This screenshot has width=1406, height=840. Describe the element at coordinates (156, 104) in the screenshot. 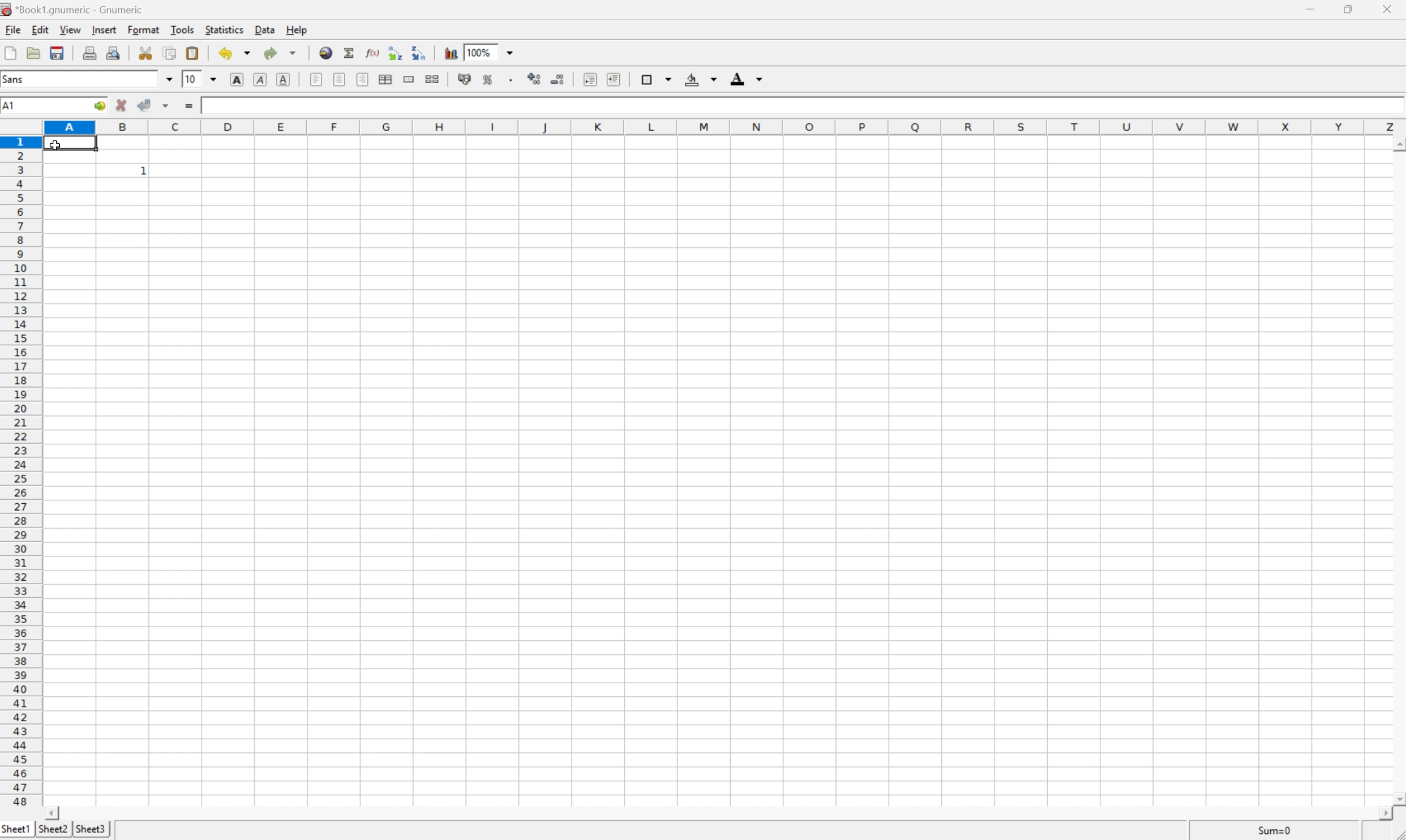

I see `accept changes in multiple cells` at that location.